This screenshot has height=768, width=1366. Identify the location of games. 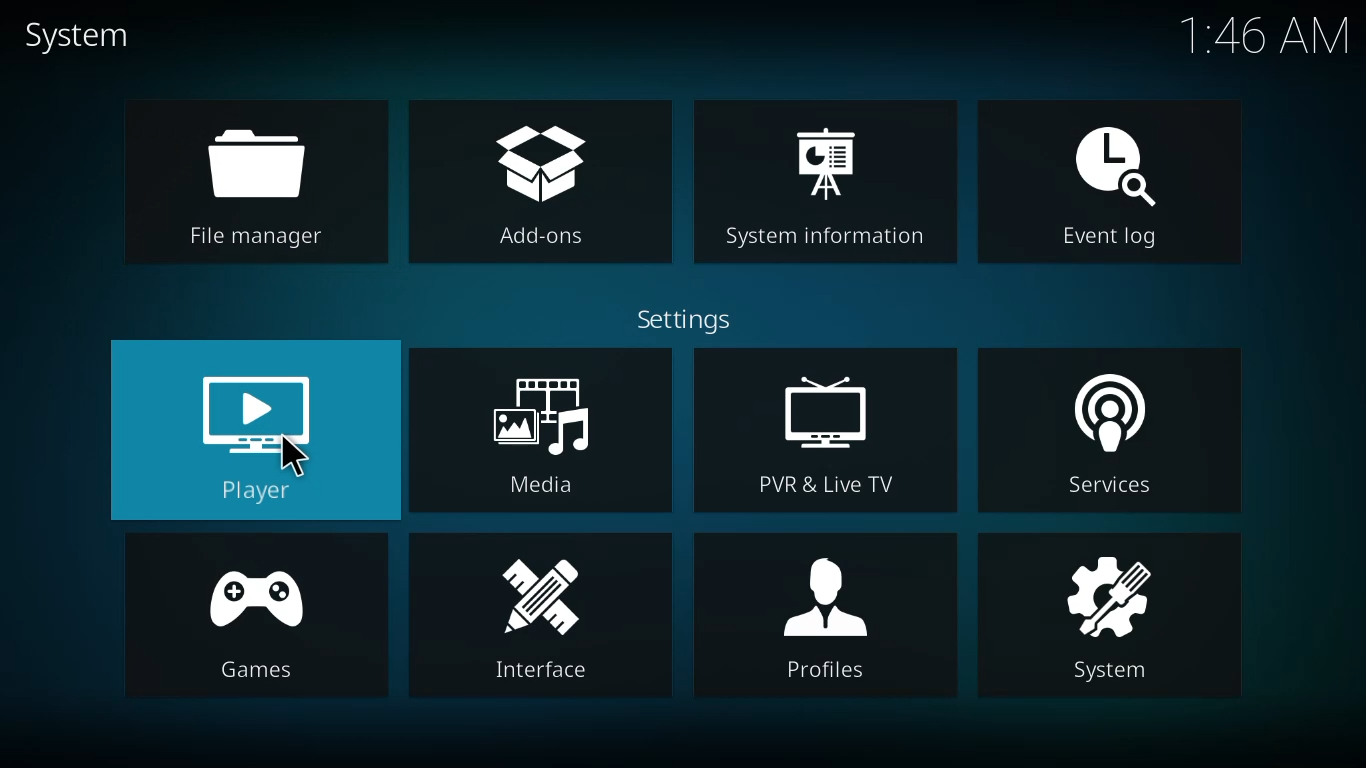
(256, 623).